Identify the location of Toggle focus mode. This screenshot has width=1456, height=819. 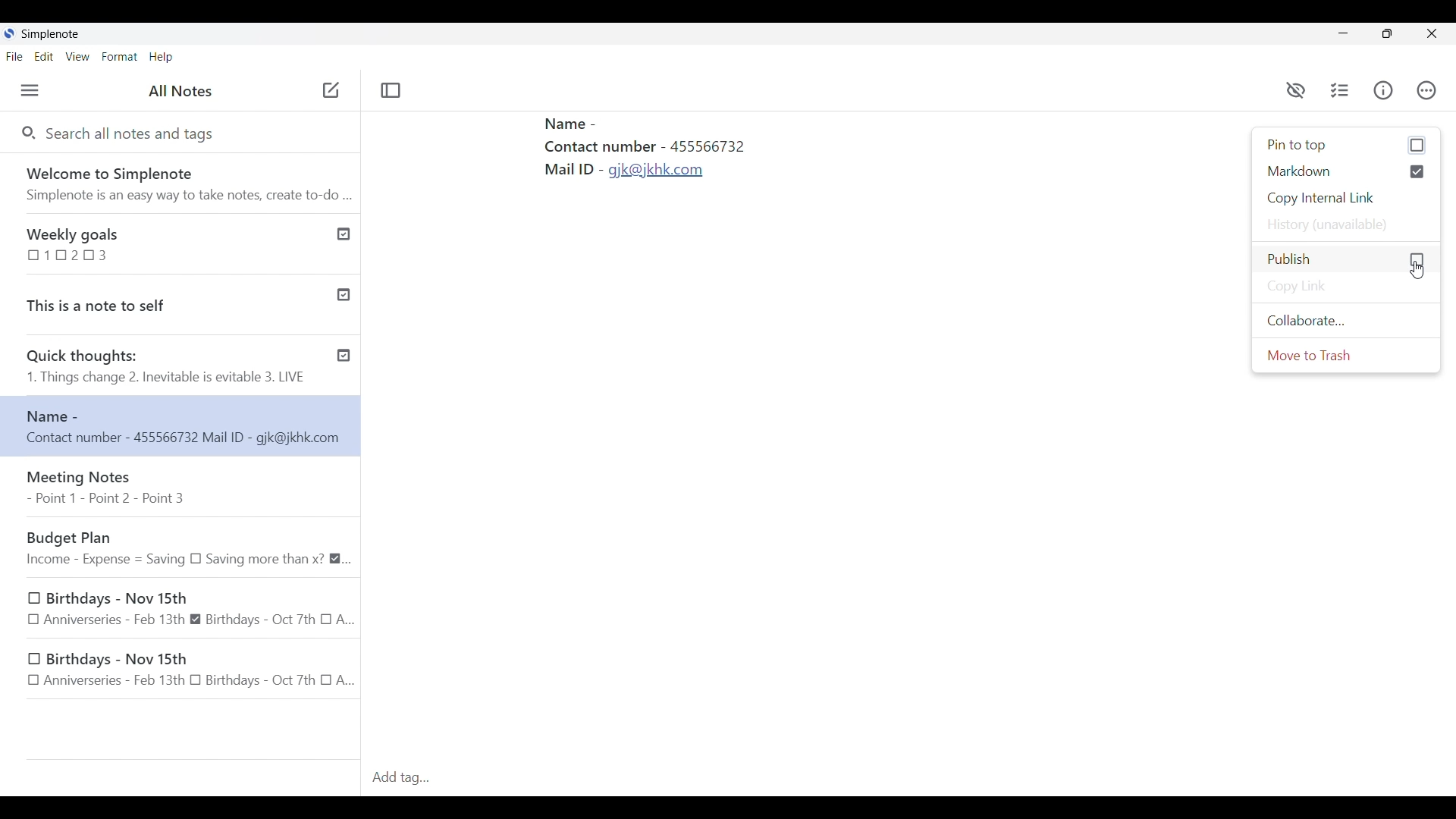
(392, 91).